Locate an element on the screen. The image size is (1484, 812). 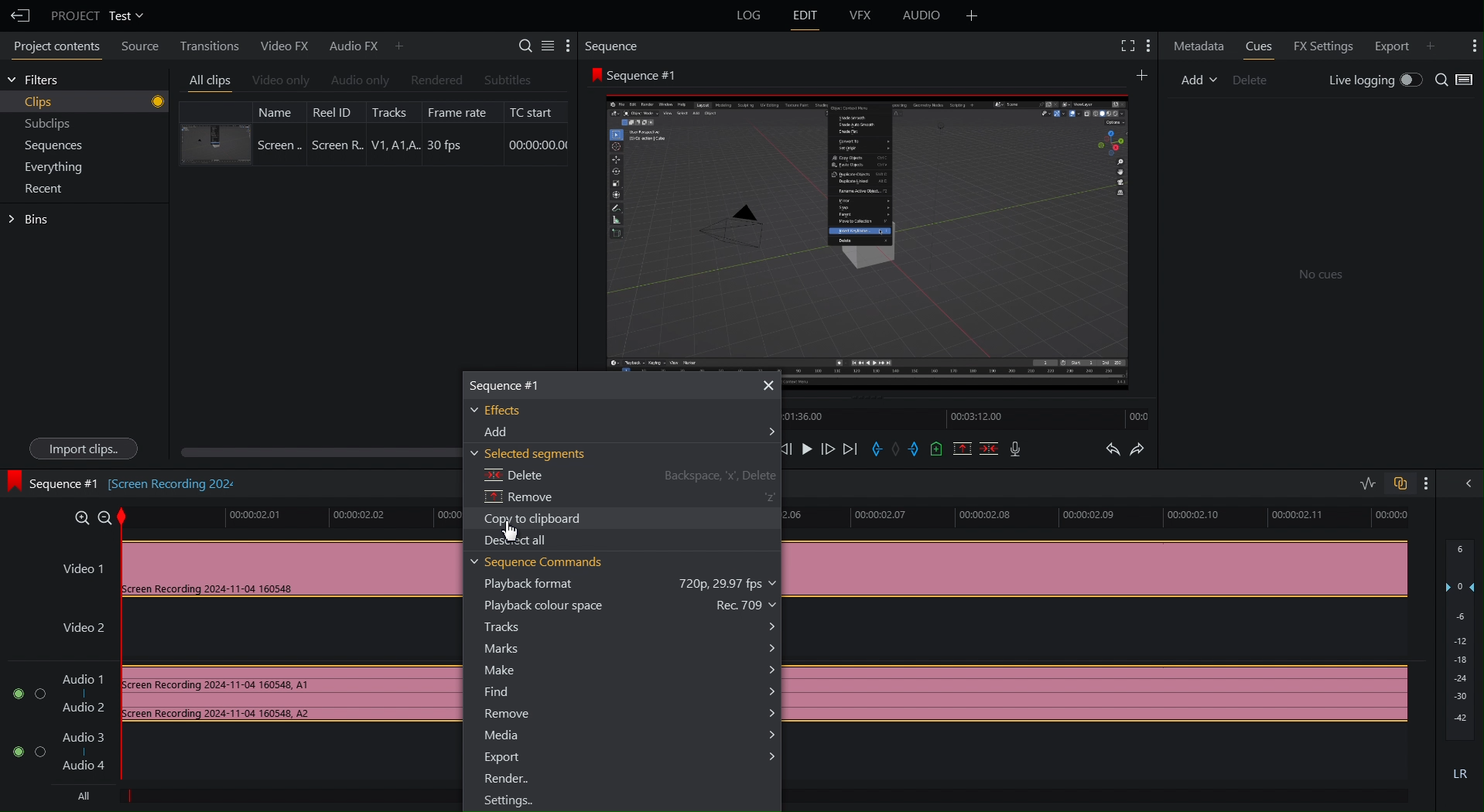
Audio Only is located at coordinates (358, 80).